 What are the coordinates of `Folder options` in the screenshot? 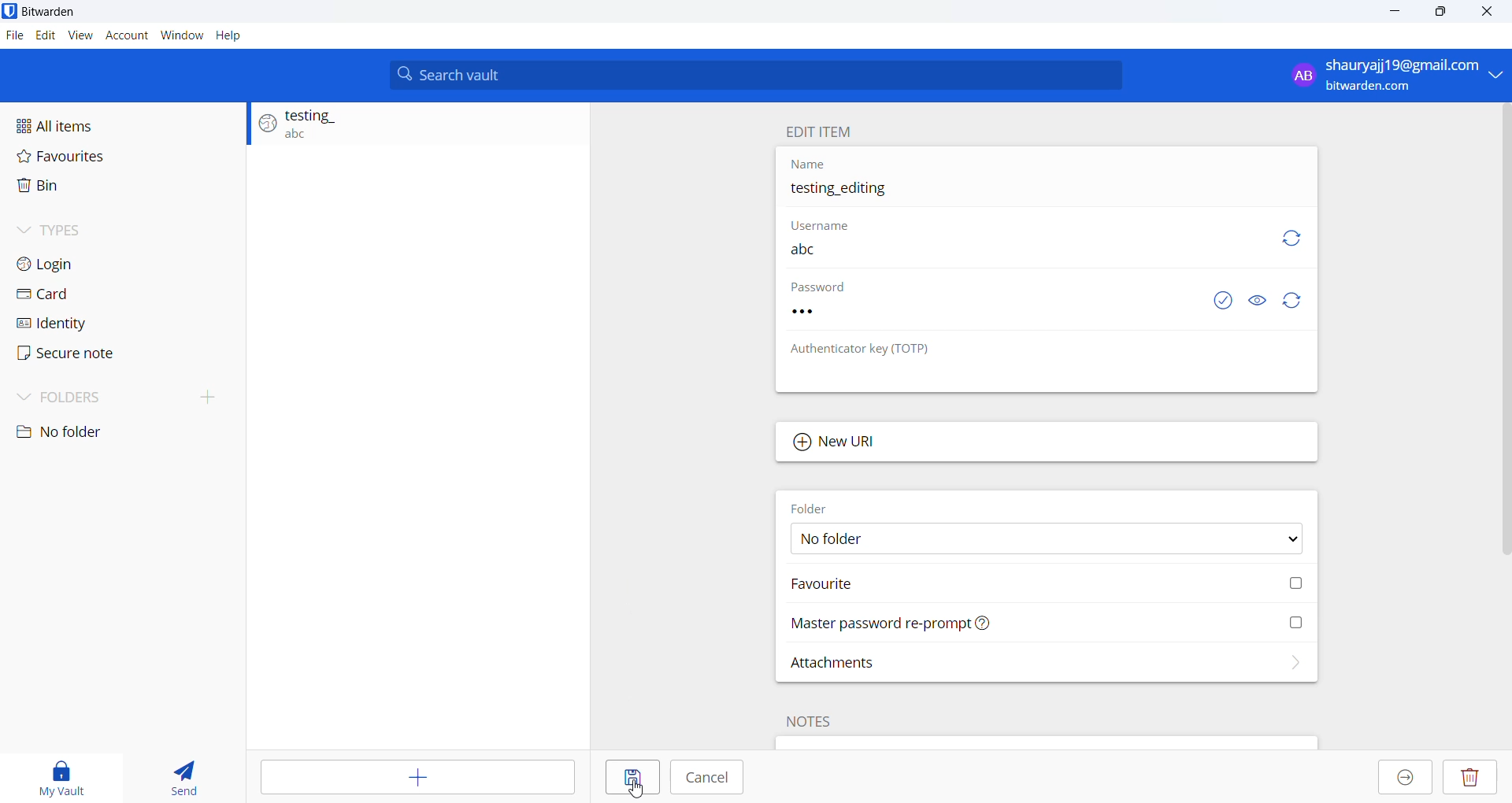 It's located at (1039, 539).